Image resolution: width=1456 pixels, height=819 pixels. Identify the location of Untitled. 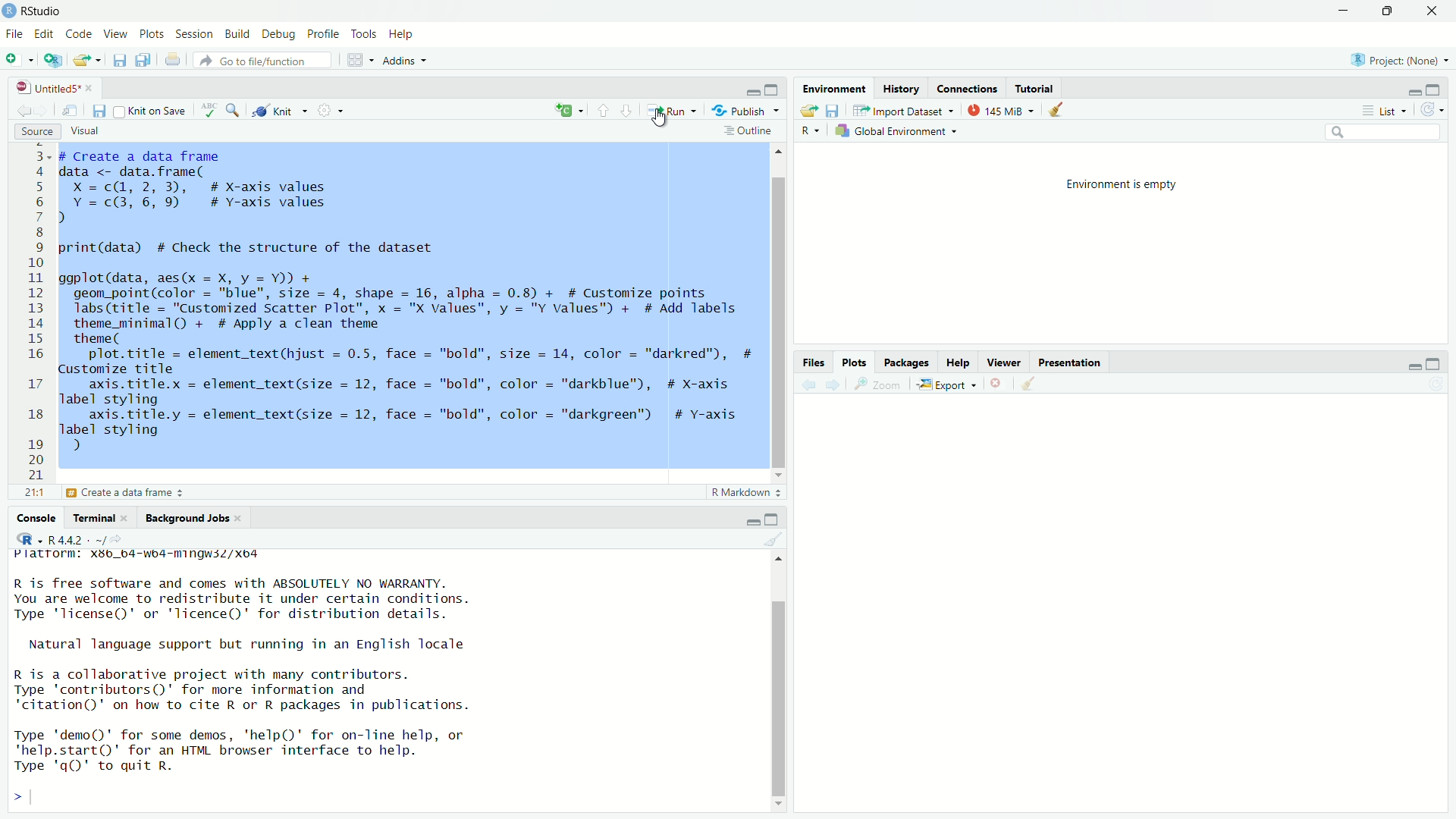
(52, 89).